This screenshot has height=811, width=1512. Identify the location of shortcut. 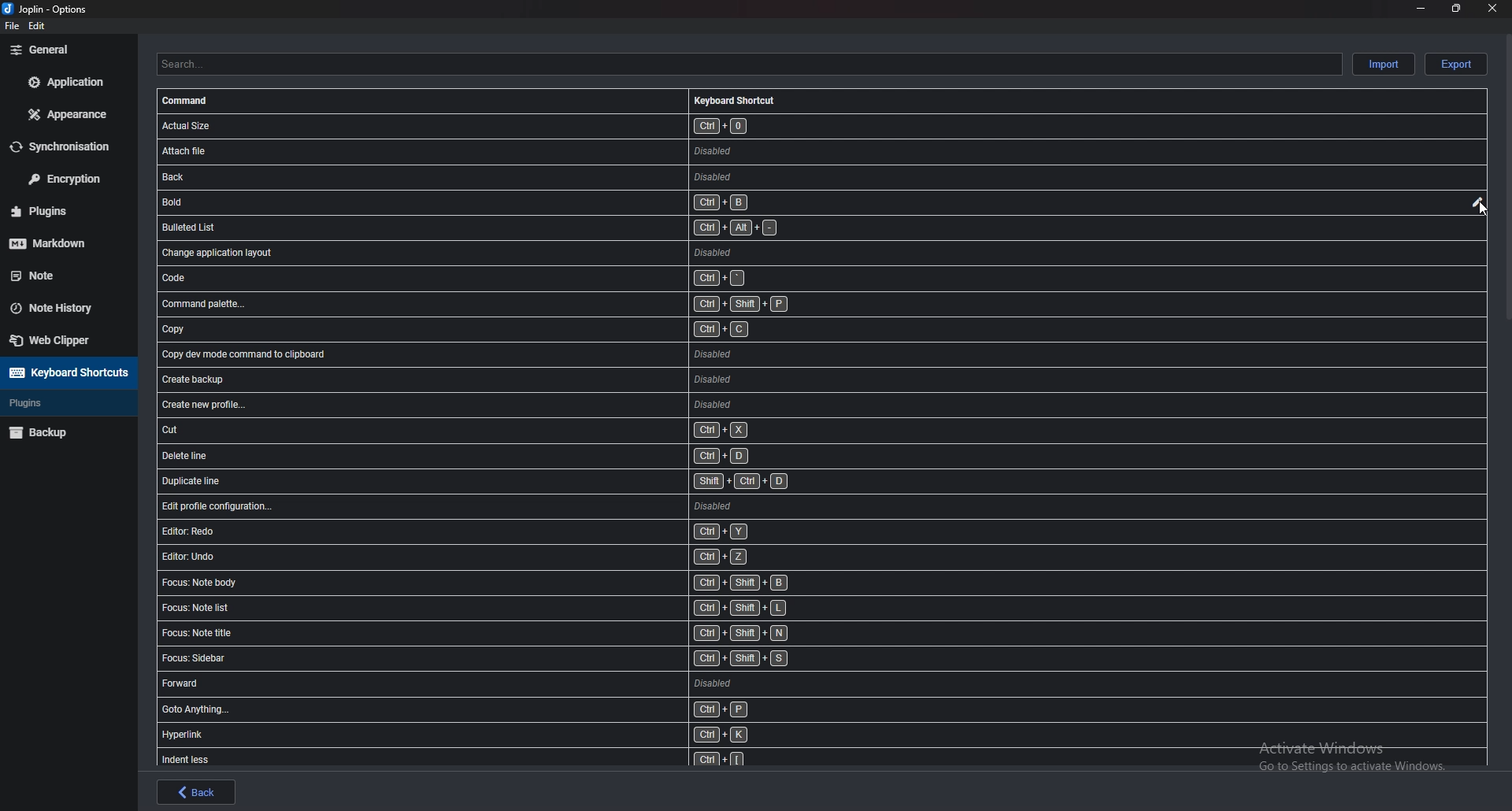
(472, 153).